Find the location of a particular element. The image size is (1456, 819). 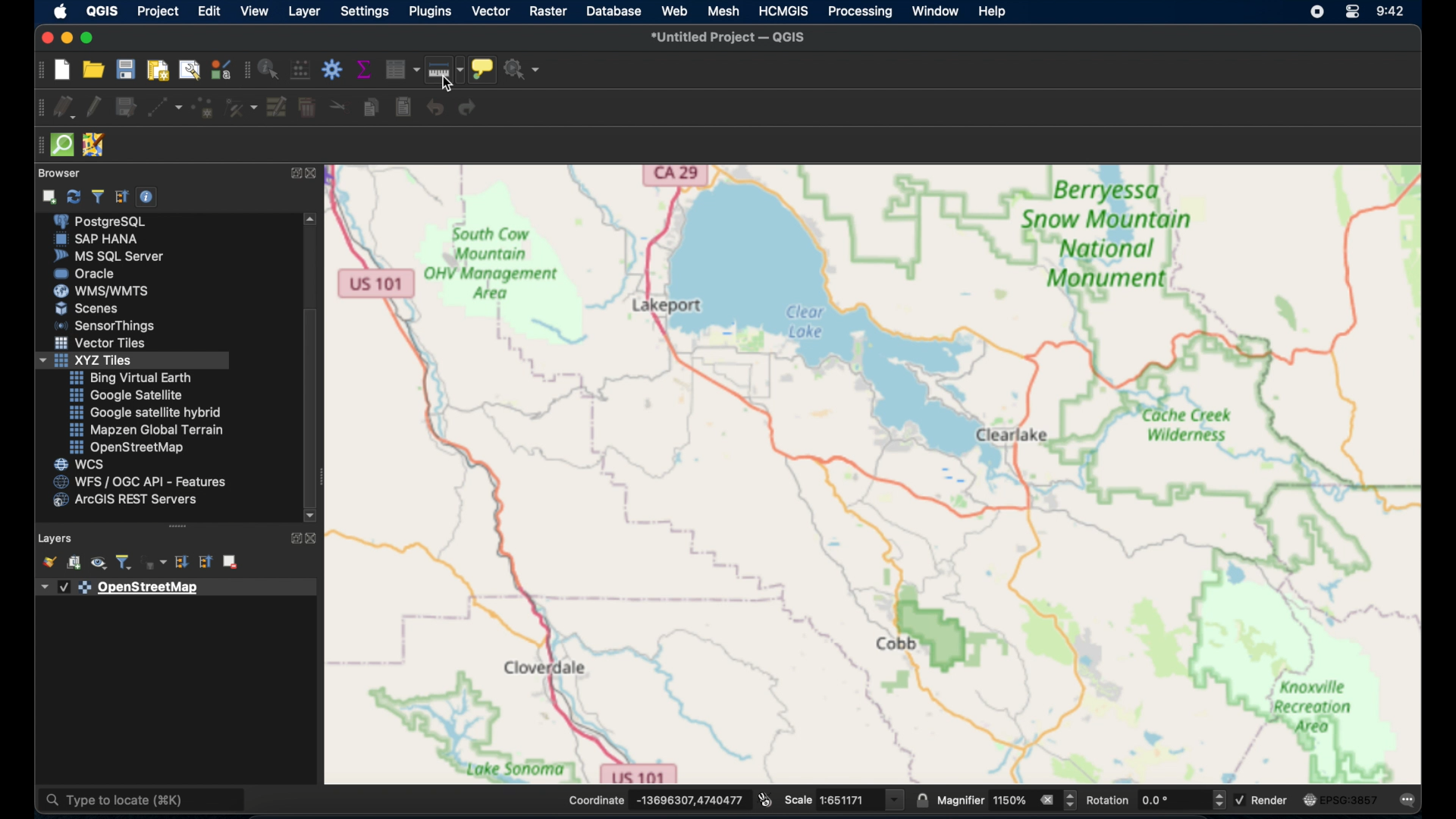

scroll box is located at coordinates (312, 404).